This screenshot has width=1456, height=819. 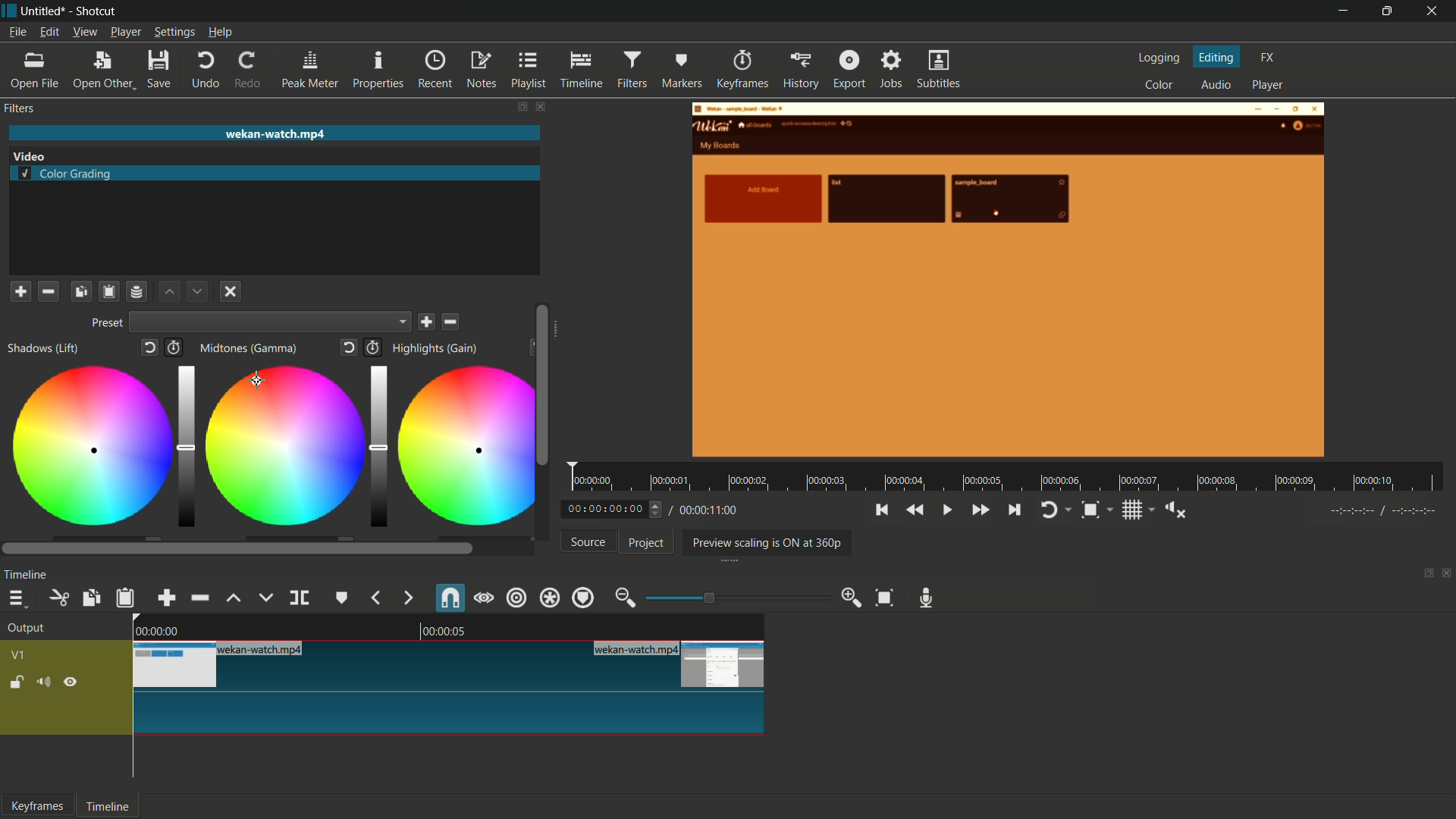 I want to click on lock, so click(x=17, y=684).